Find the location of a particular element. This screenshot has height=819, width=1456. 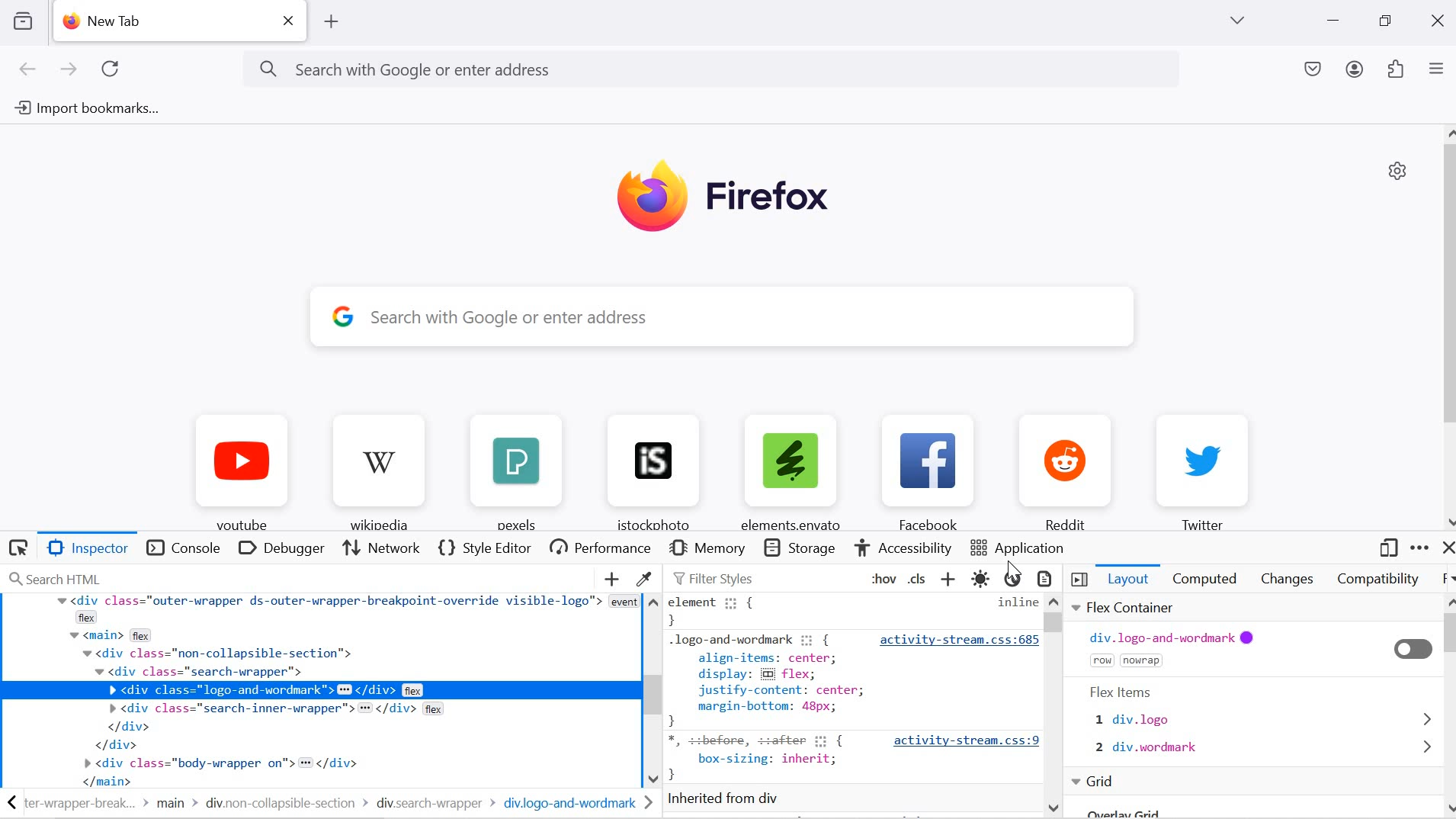

list of tabs is located at coordinates (1236, 19).